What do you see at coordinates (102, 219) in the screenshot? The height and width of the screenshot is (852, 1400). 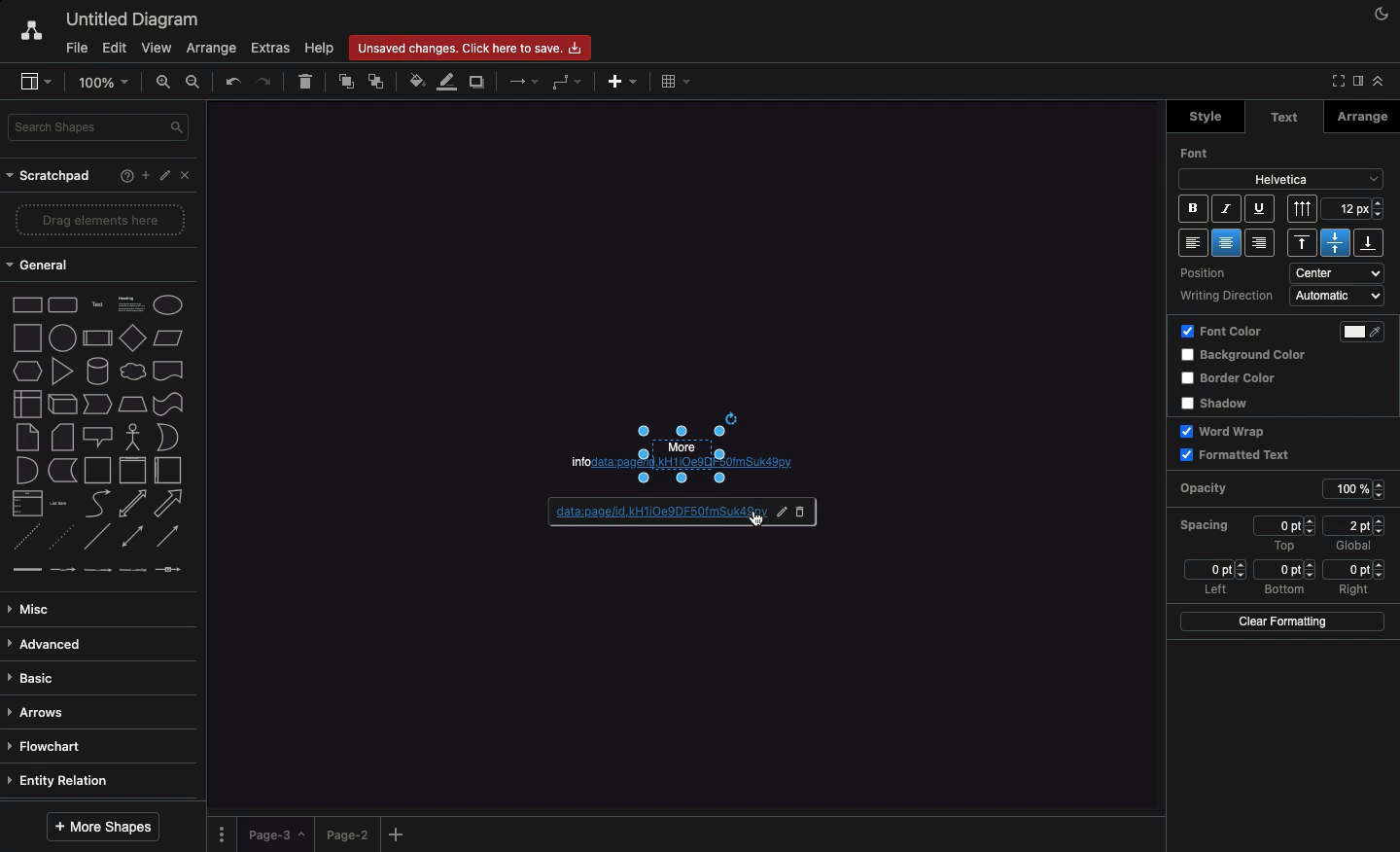 I see `Drag elements here` at bounding box center [102, 219].